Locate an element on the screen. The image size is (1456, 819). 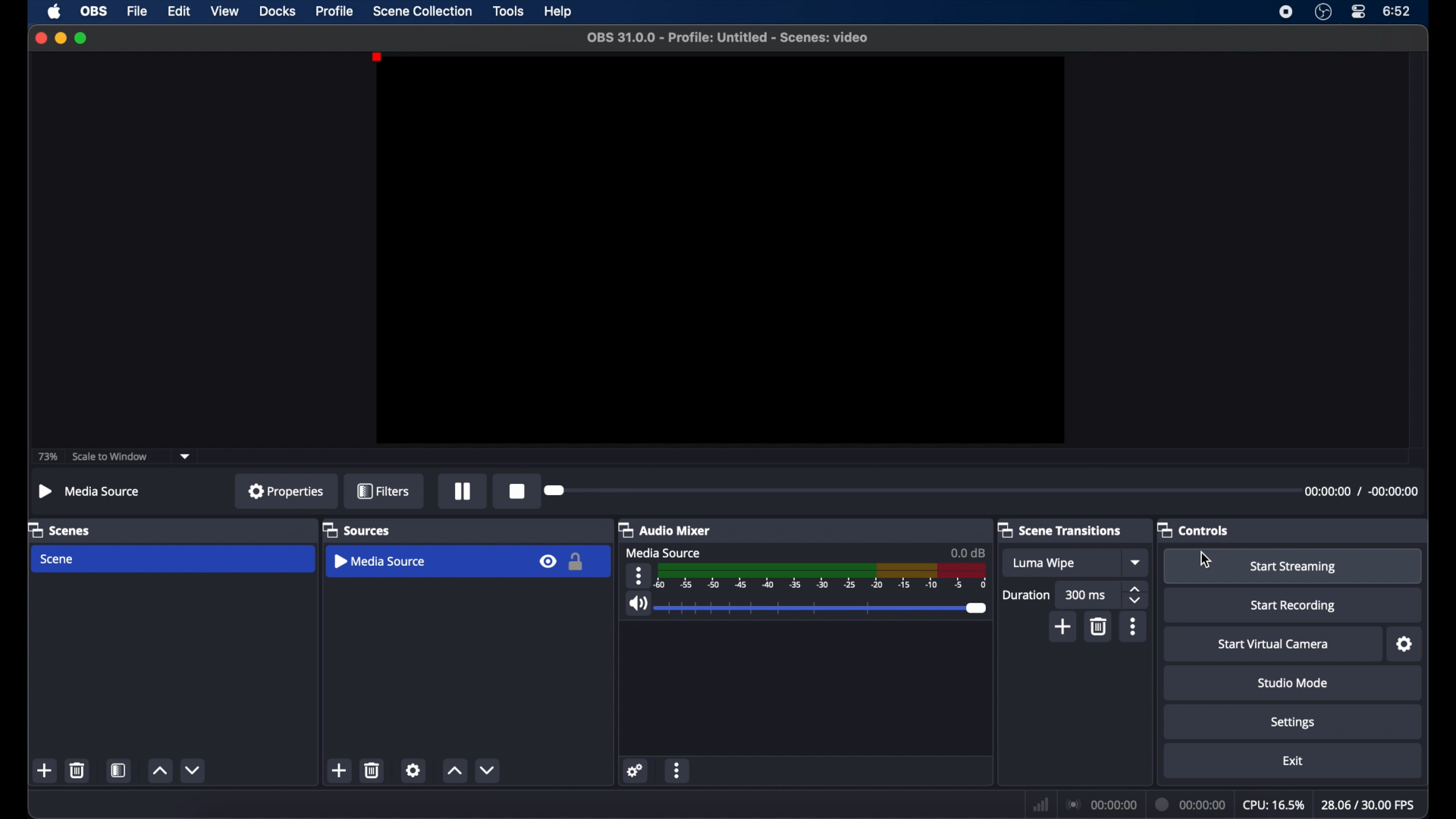
lock is located at coordinates (576, 562).